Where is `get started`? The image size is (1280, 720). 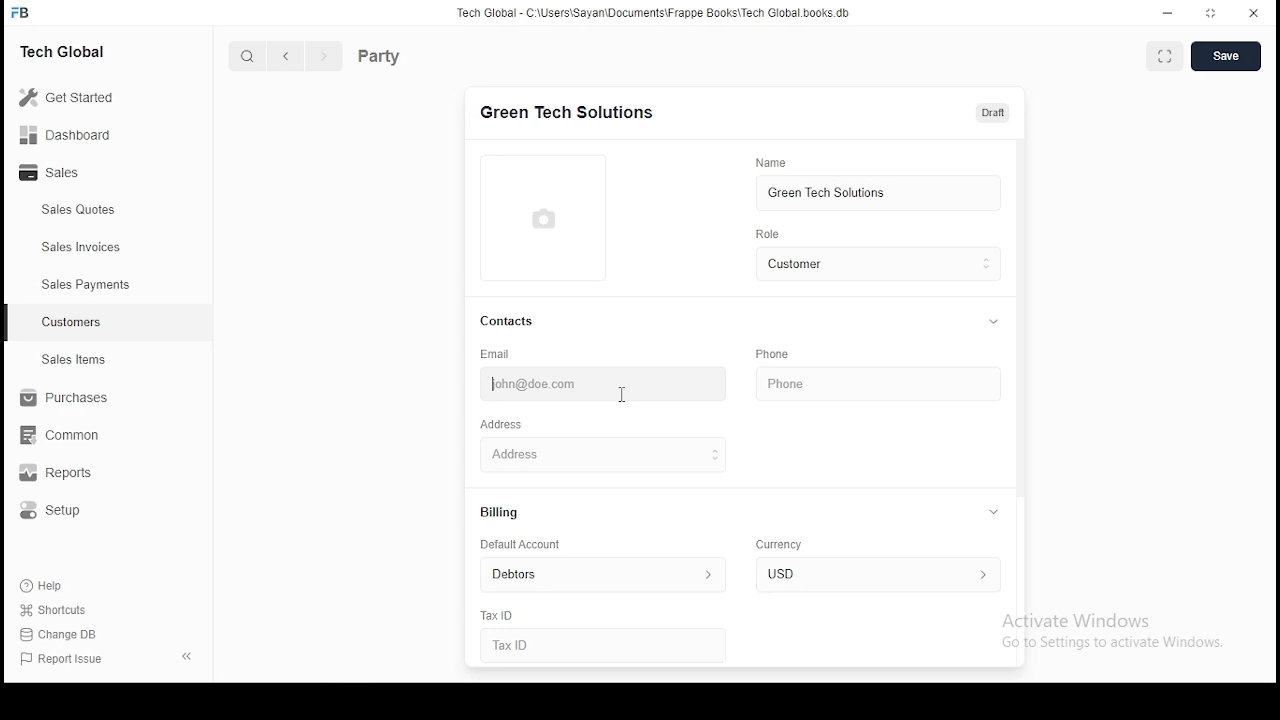
get started is located at coordinates (69, 97).